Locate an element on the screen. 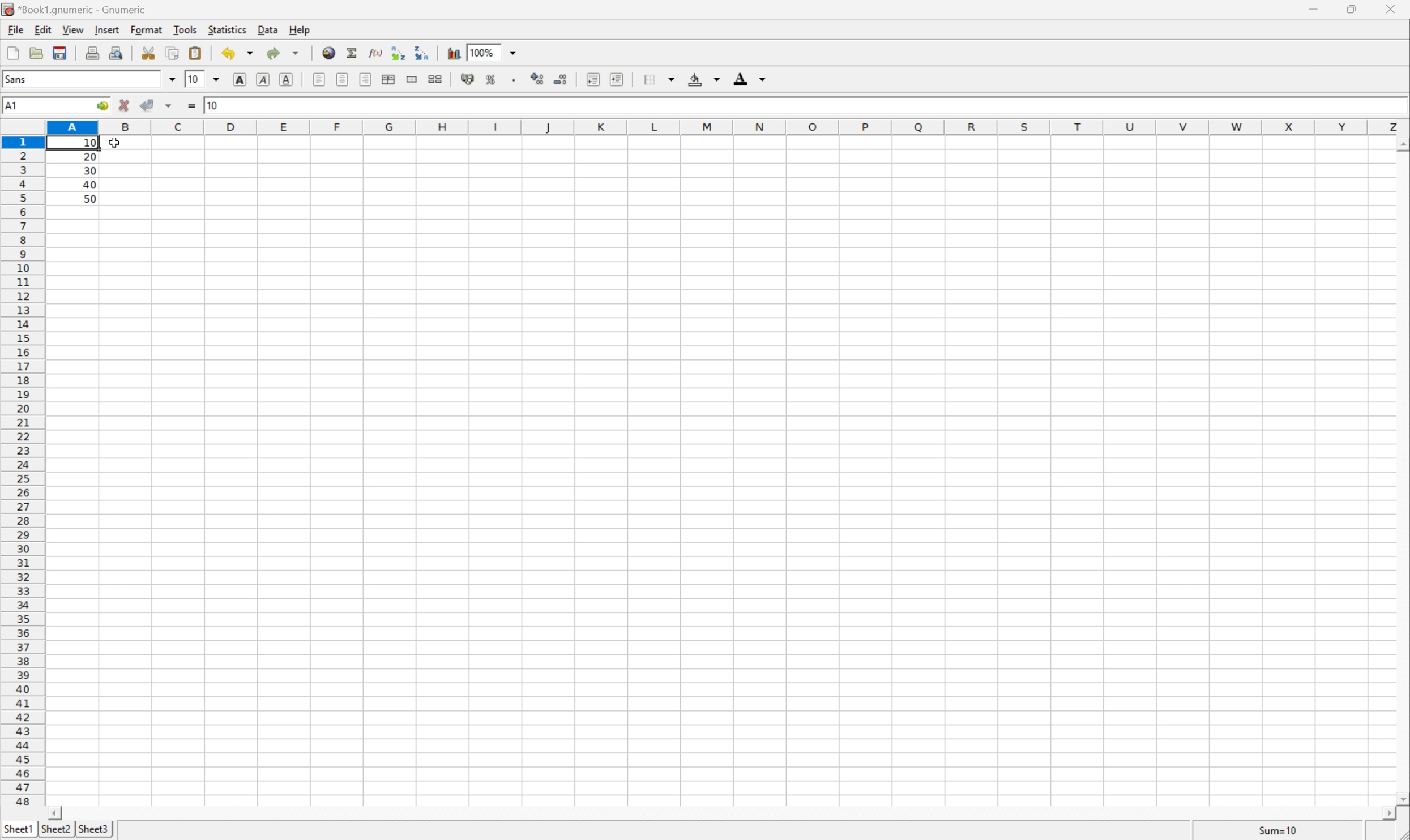 This screenshot has height=840, width=1410. Sheet2 is located at coordinates (57, 829).